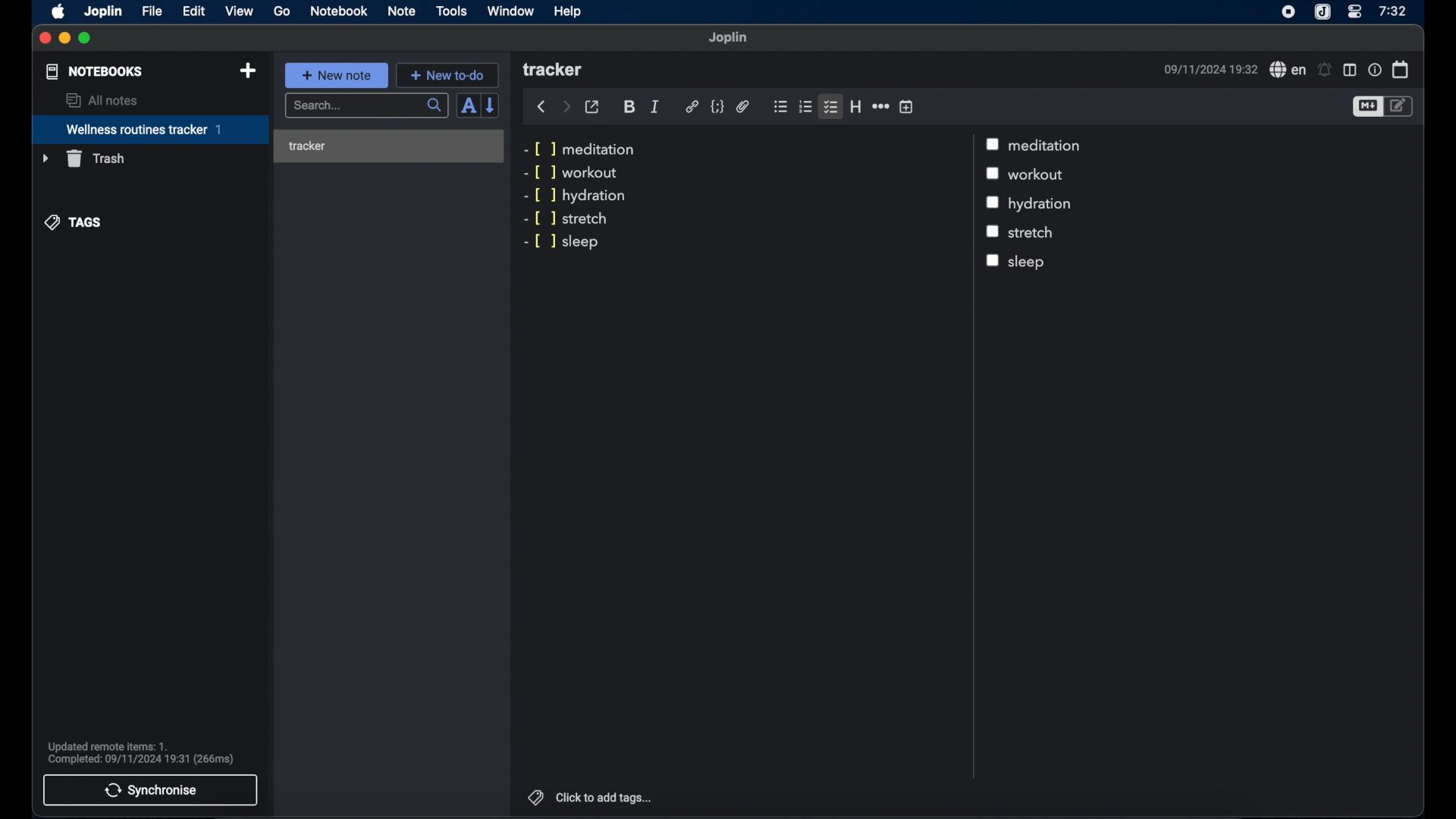 This screenshot has height=819, width=1456. I want to click on trash, so click(83, 158).